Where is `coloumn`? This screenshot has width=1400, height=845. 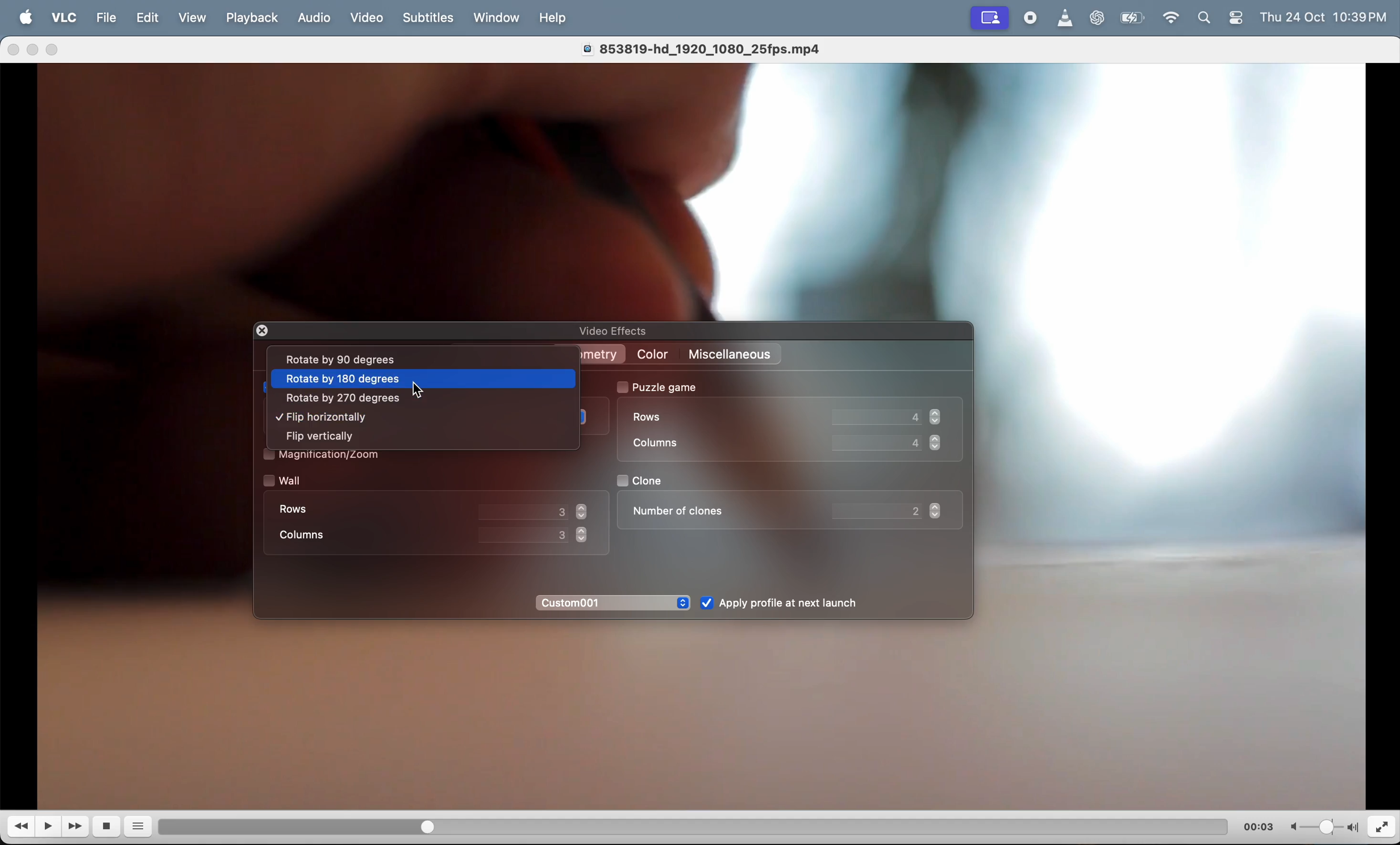
coloumn is located at coordinates (659, 443).